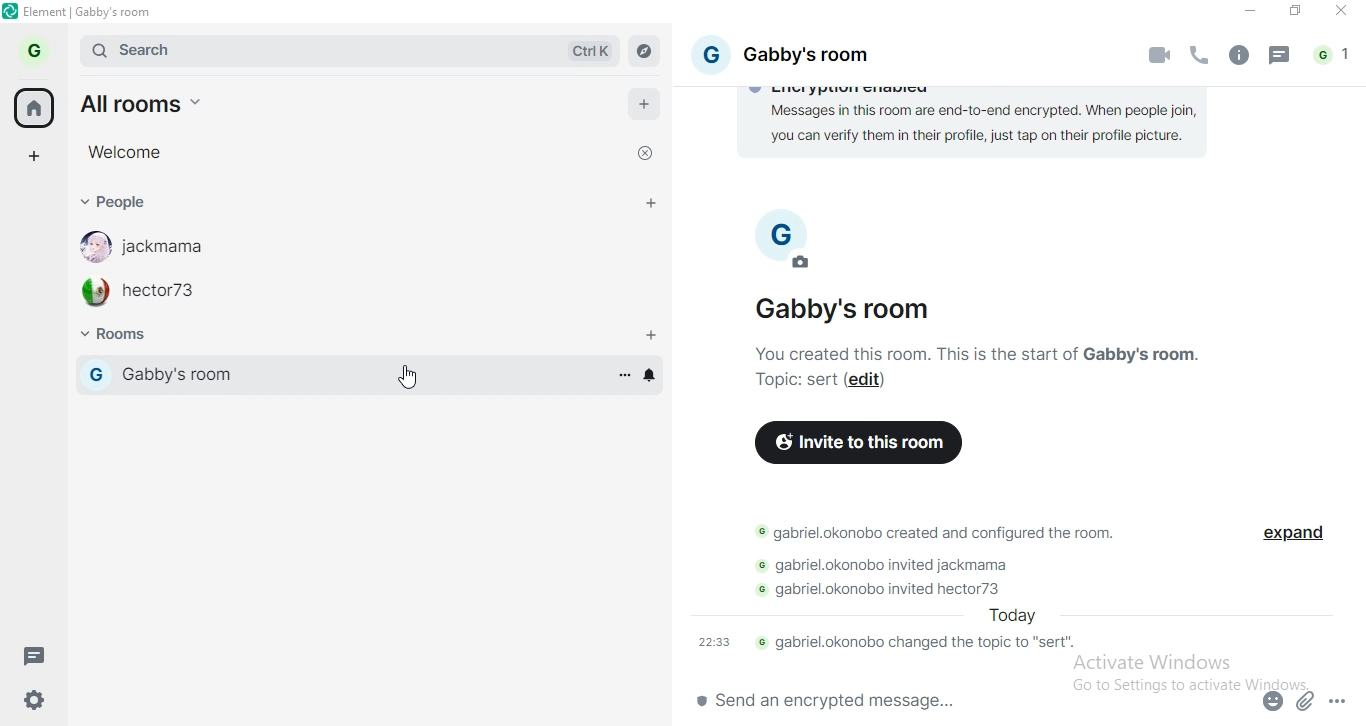  What do you see at coordinates (33, 154) in the screenshot?
I see `add spaces` at bounding box center [33, 154].